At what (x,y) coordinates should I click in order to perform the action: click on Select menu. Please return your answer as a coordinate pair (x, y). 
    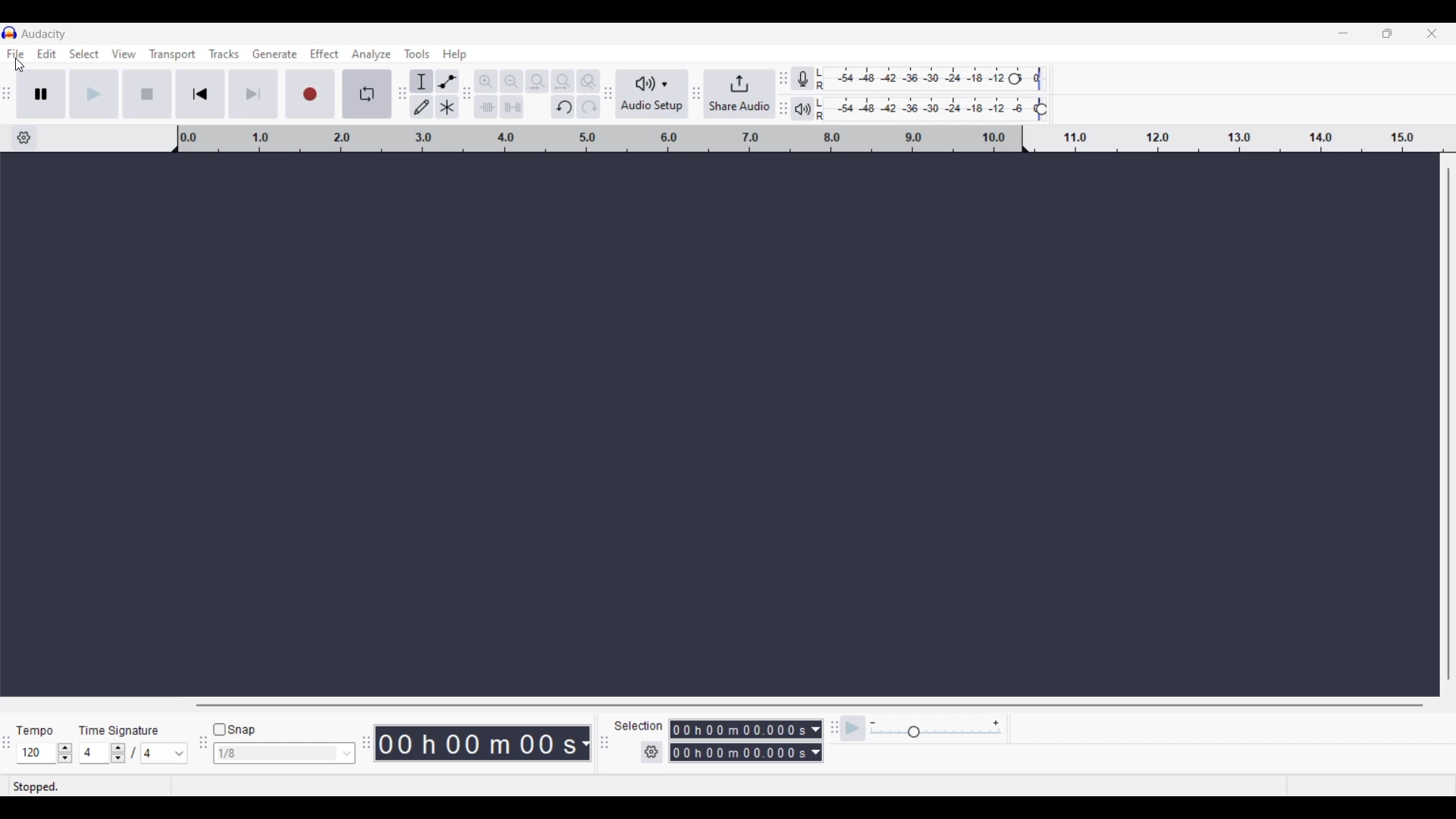
    Looking at the image, I should click on (85, 54).